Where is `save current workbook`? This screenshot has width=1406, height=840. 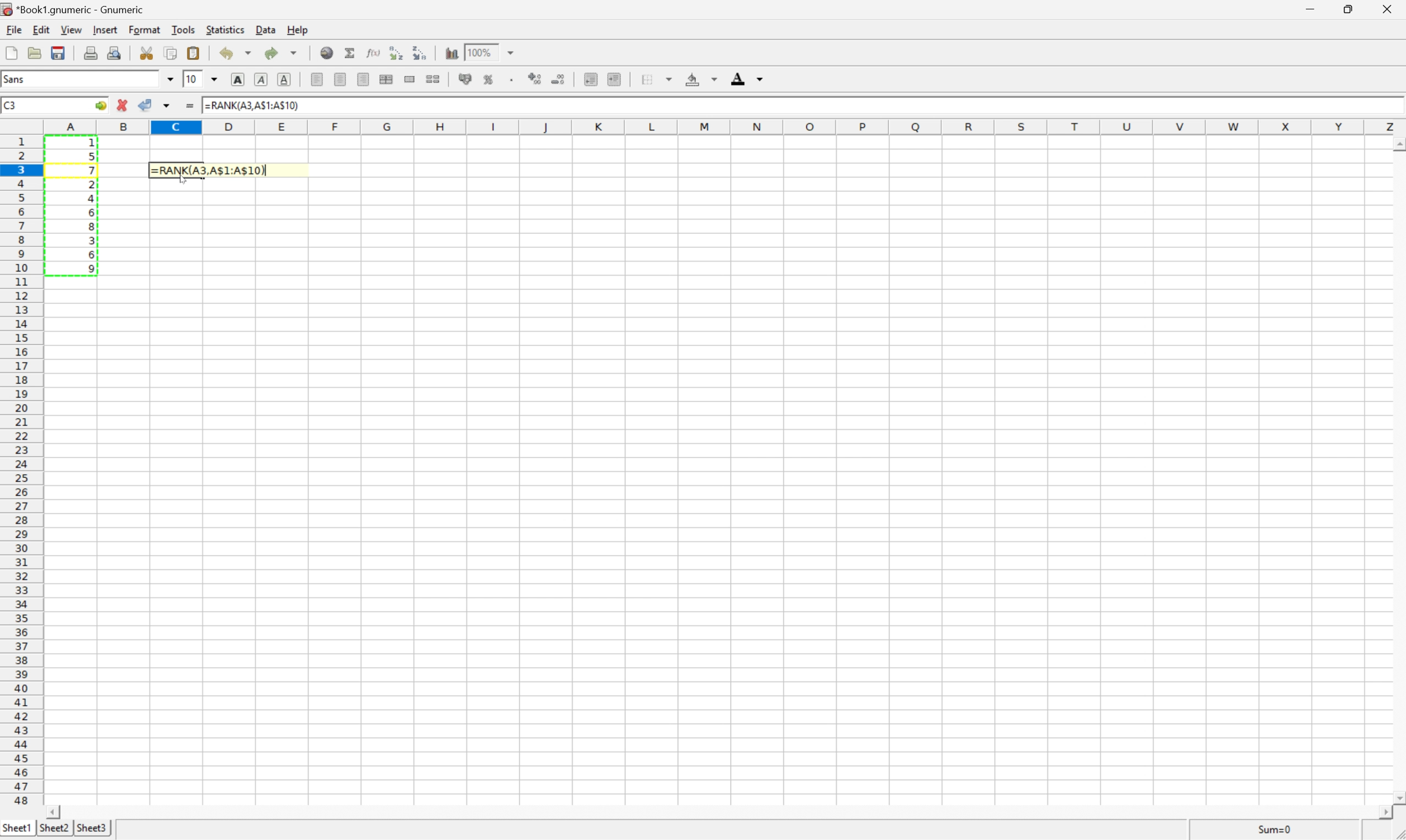 save current workbook is located at coordinates (58, 53).